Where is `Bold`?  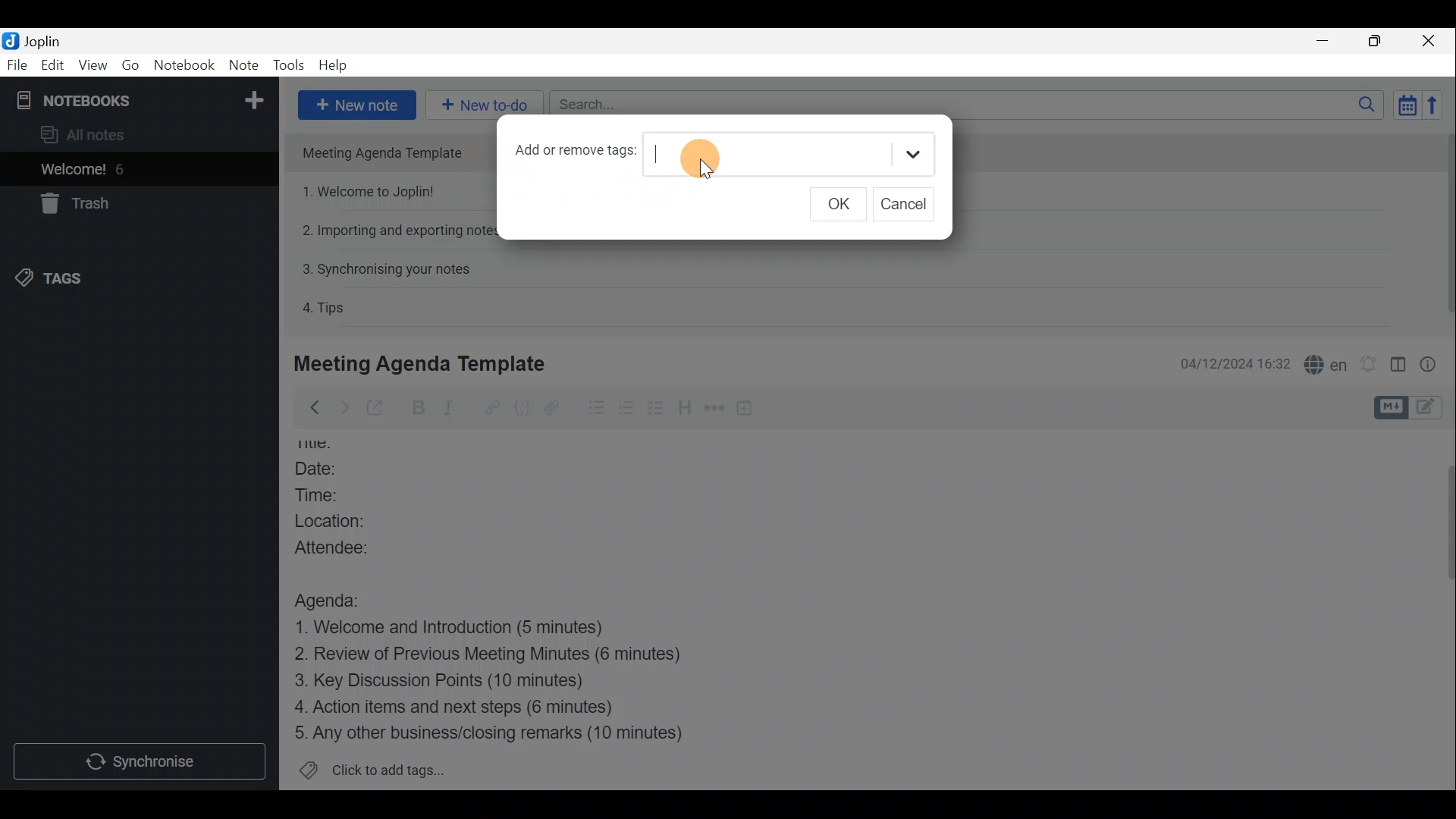 Bold is located at coordinates (419, 408).